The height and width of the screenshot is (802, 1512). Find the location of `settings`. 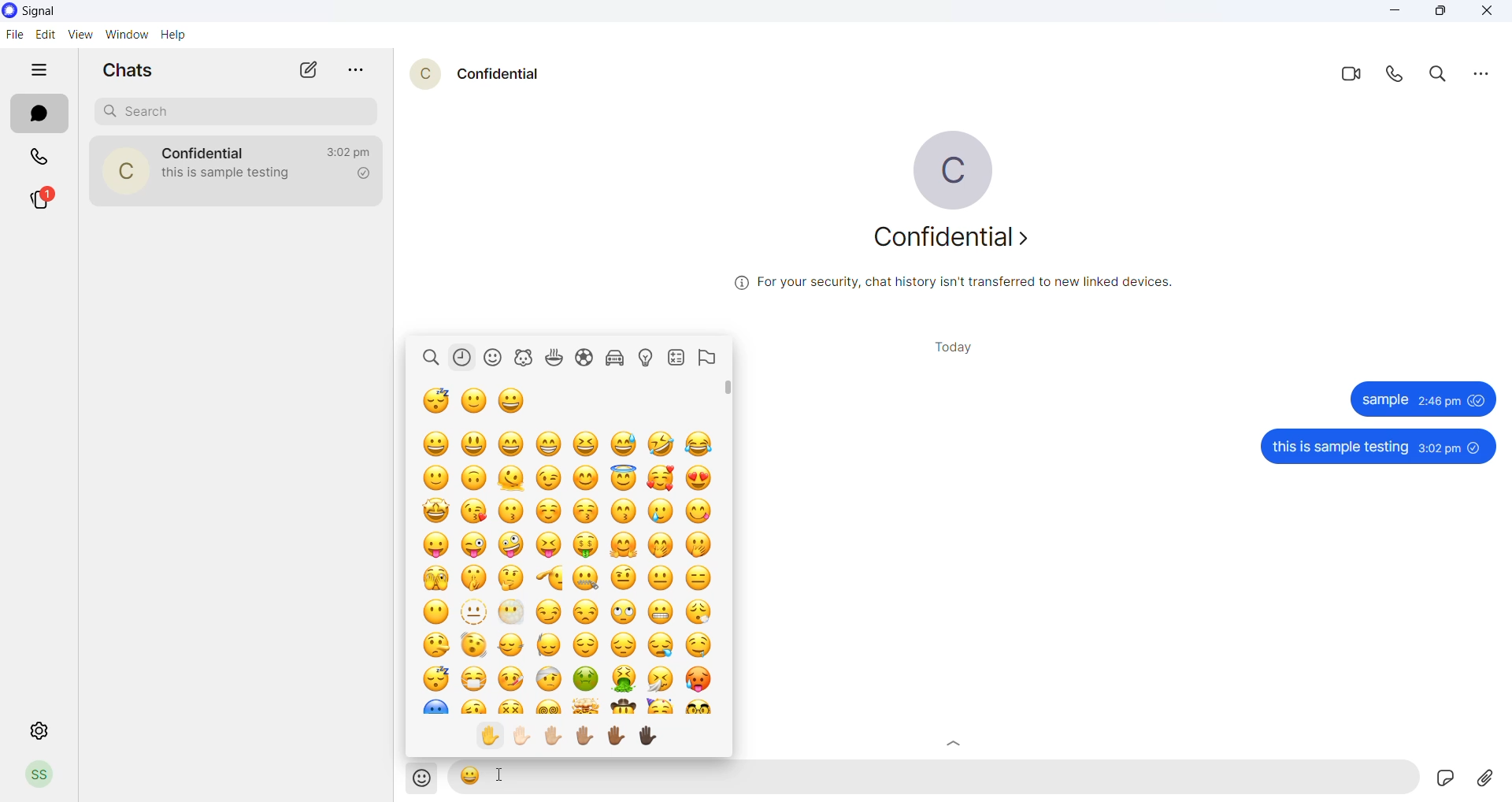

settings is located at coordinates (32, 732).